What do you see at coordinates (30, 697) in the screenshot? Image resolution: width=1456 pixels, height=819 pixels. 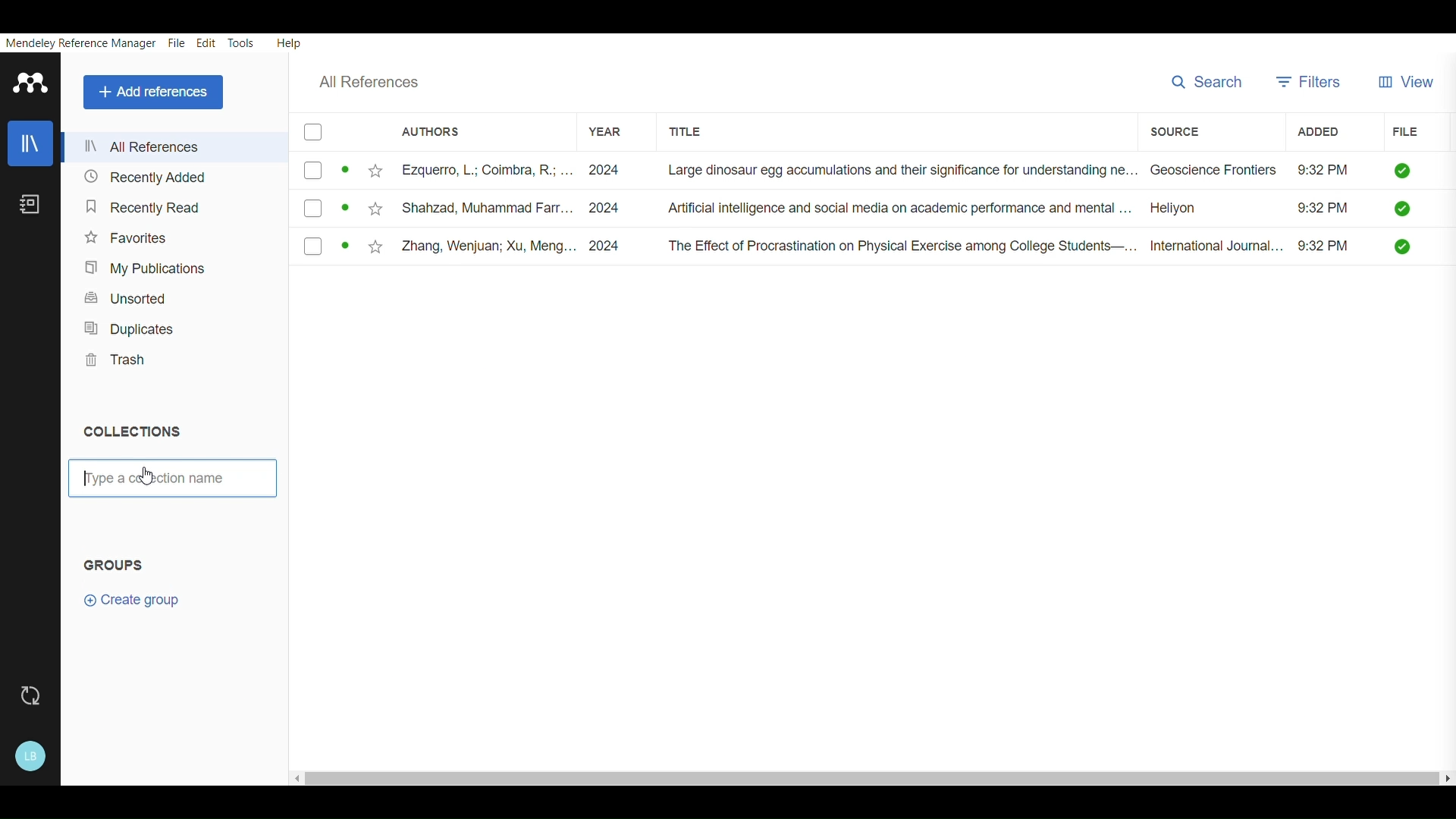 I see `Sync` at bounding box center [30, 697].